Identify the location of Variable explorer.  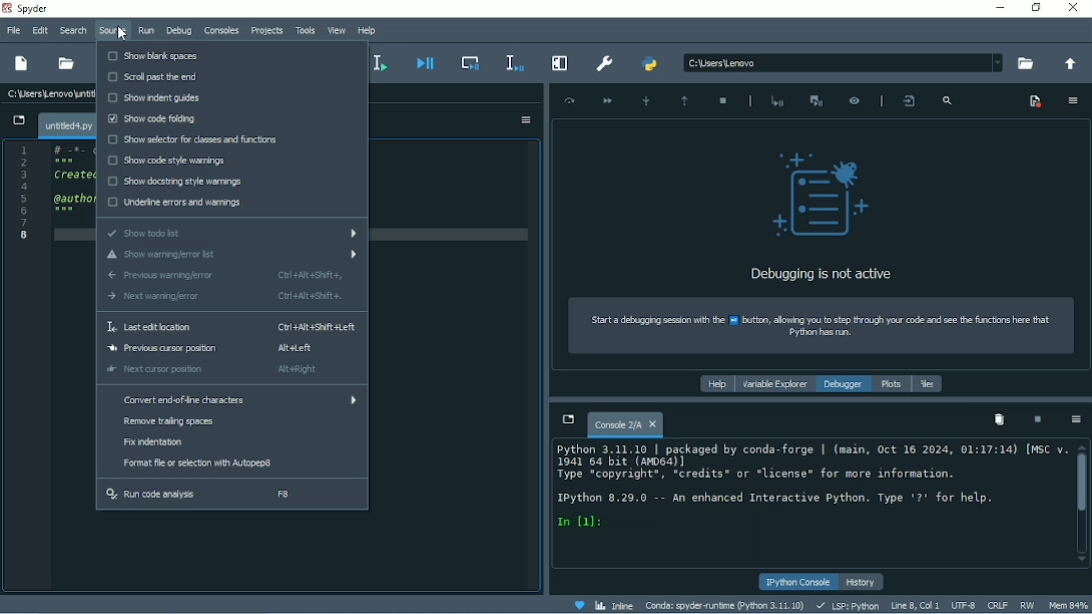
(773, 385).